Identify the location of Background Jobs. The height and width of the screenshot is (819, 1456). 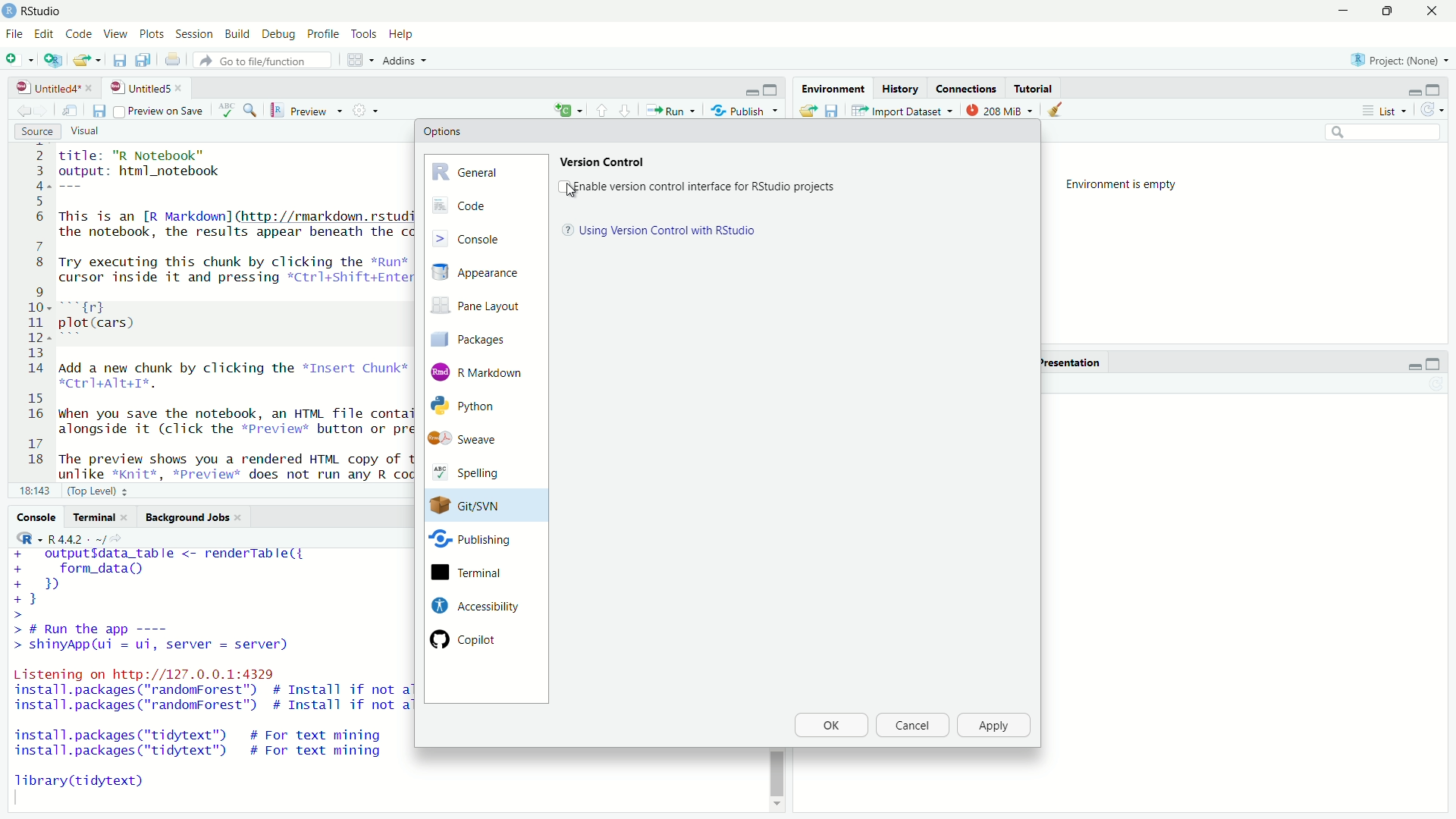
(194, 518).